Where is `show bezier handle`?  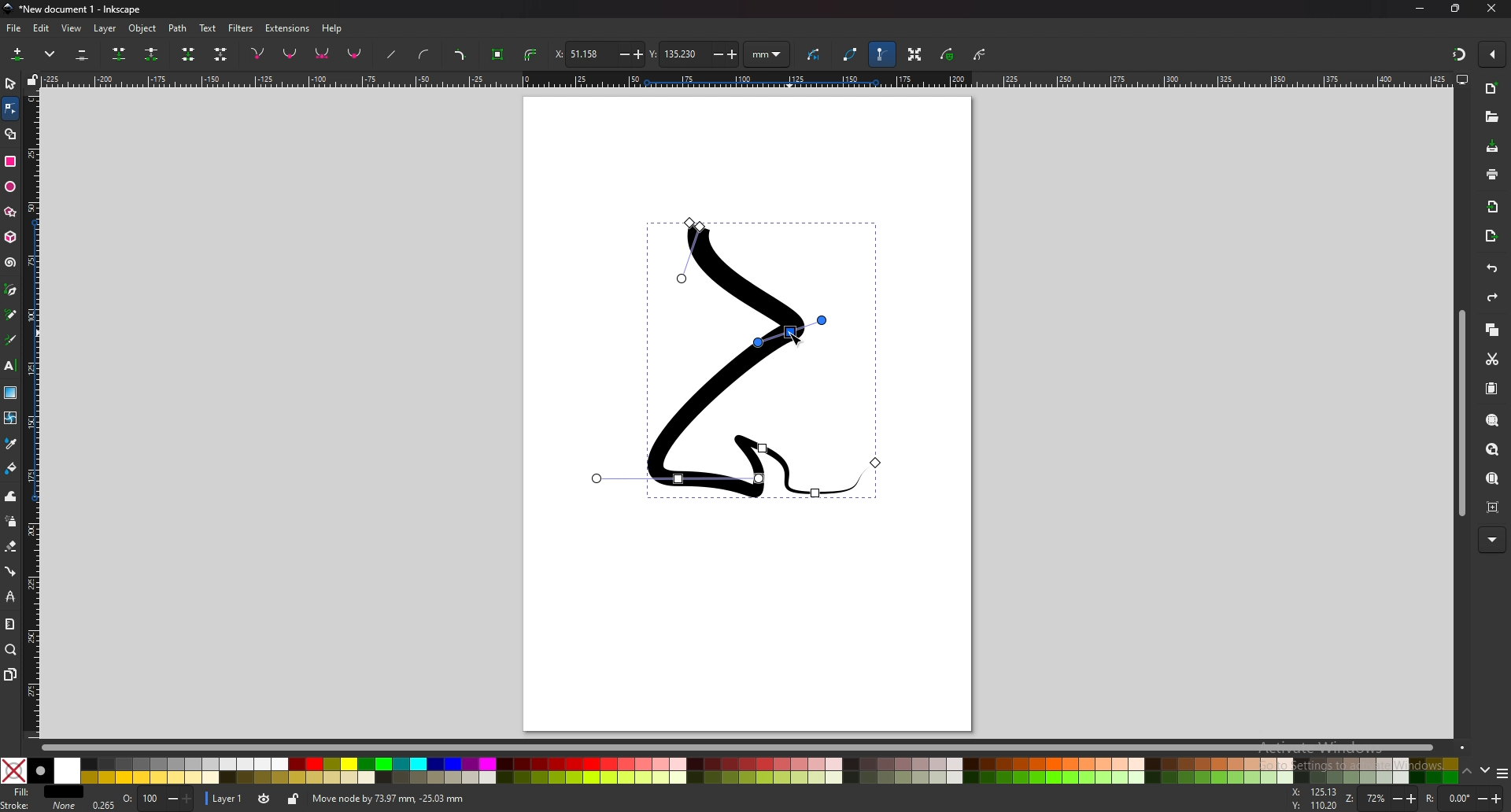 show bezier handle is located at coordinates (881, 54).